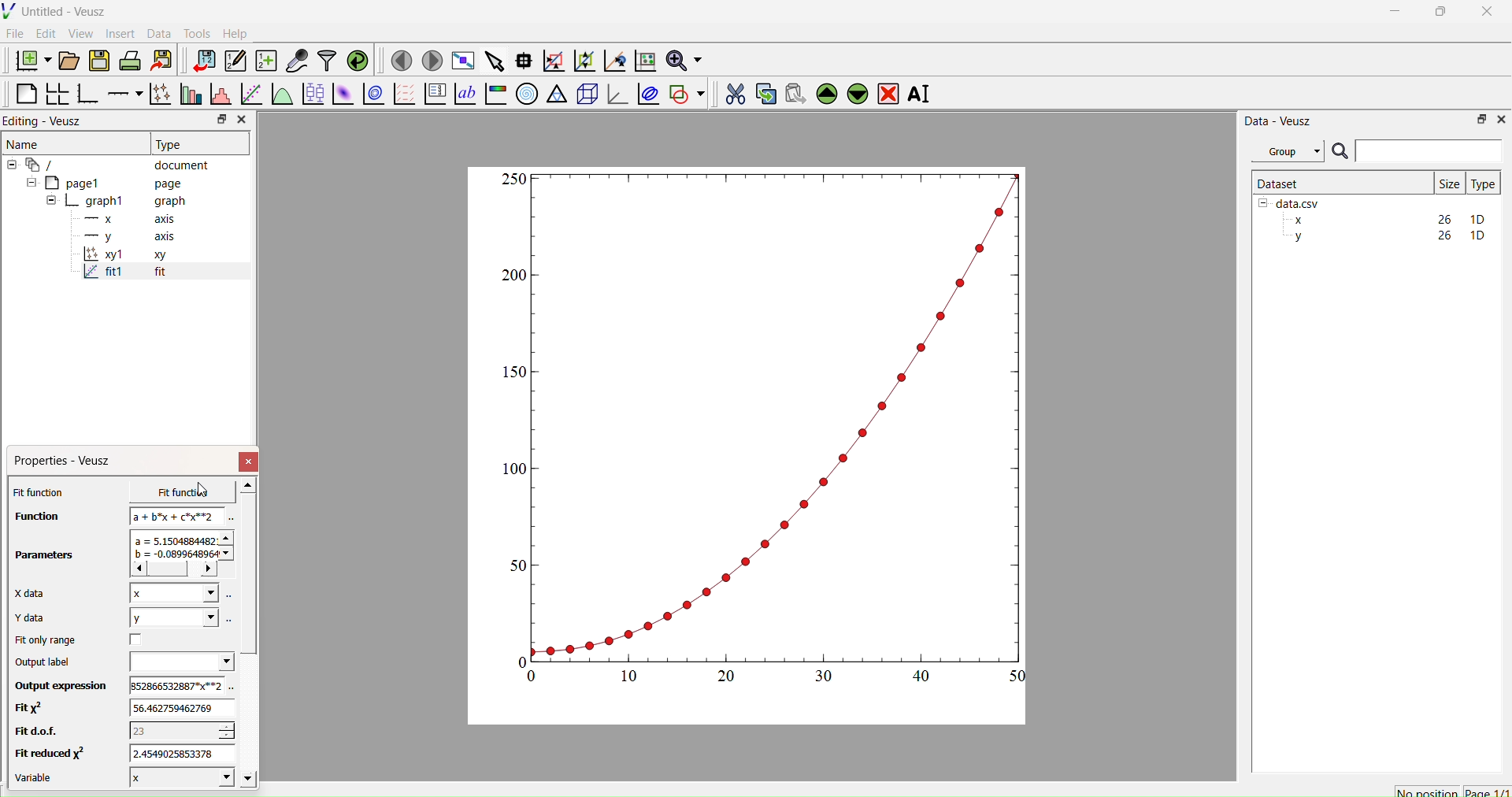  What do you see at coordinates (85, 95) in the screenshot?
I see `Base Graph` at bounding box center [85, 95].